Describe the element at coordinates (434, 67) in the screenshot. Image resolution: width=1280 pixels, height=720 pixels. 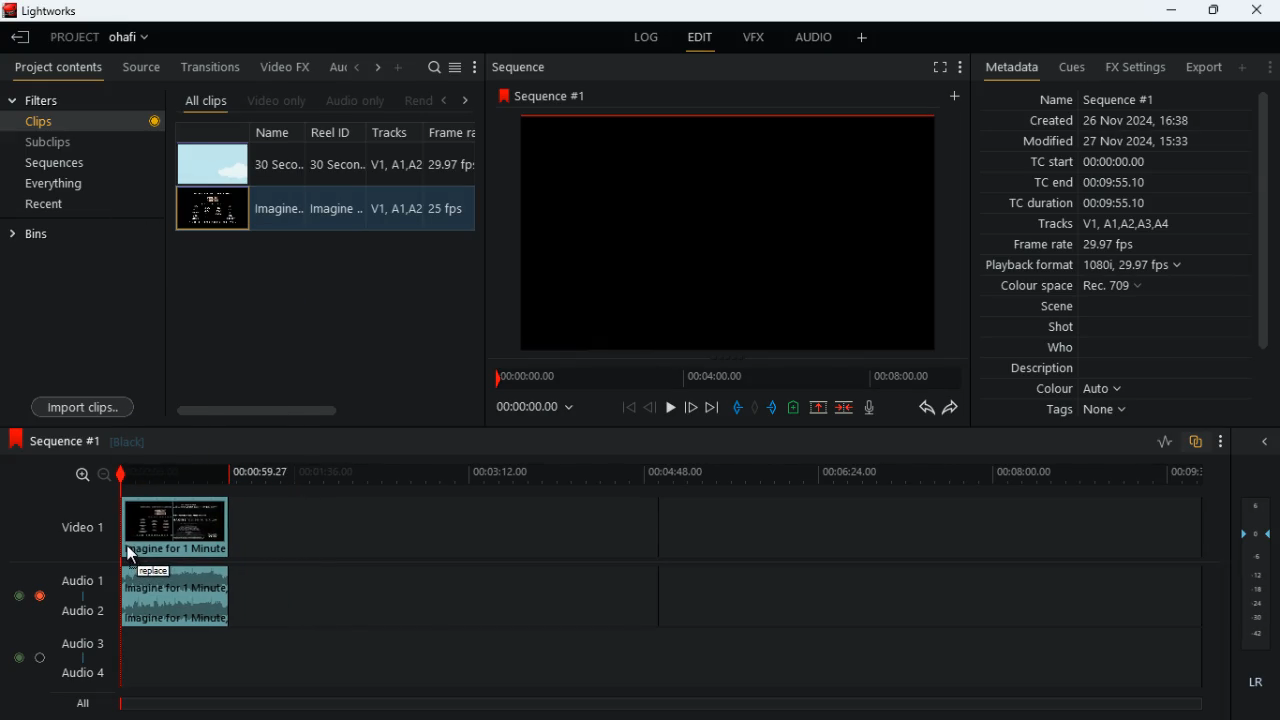
I see `search` at that location.